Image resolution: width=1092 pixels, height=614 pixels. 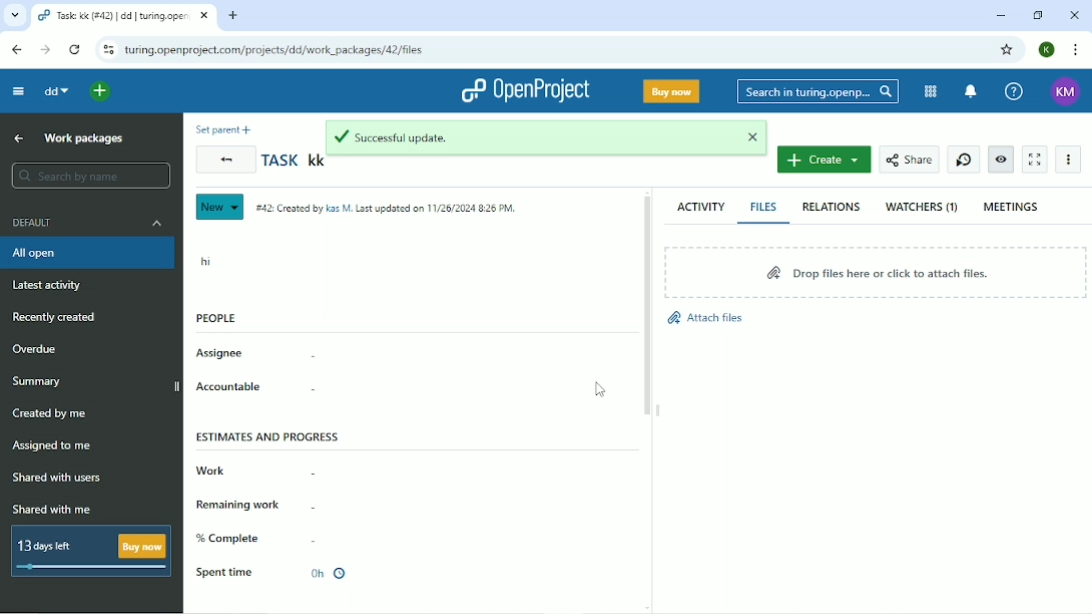 What do you see at coordinates (19, 139) in the screenshot?
I see `Up` at bounding box center [19, 139].